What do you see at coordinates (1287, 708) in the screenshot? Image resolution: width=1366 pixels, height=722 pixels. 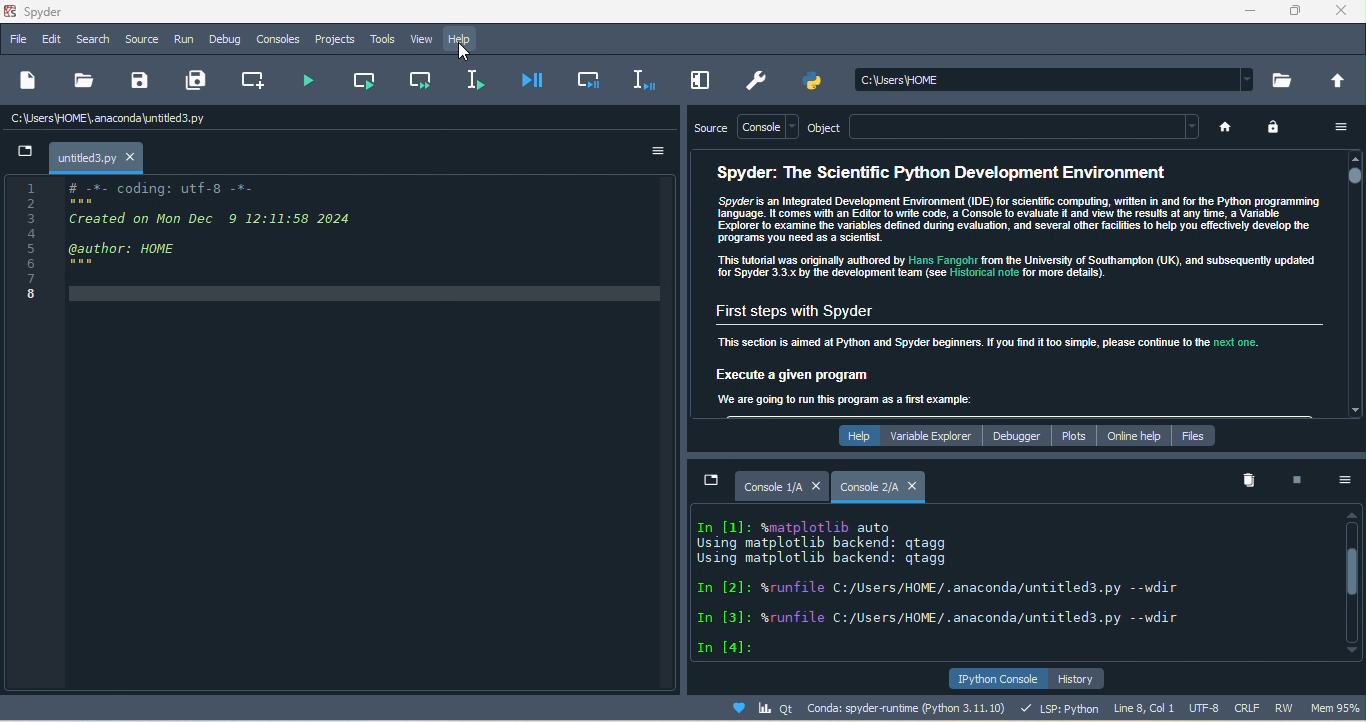 I see `rw` at bounding box center [1287, 708].